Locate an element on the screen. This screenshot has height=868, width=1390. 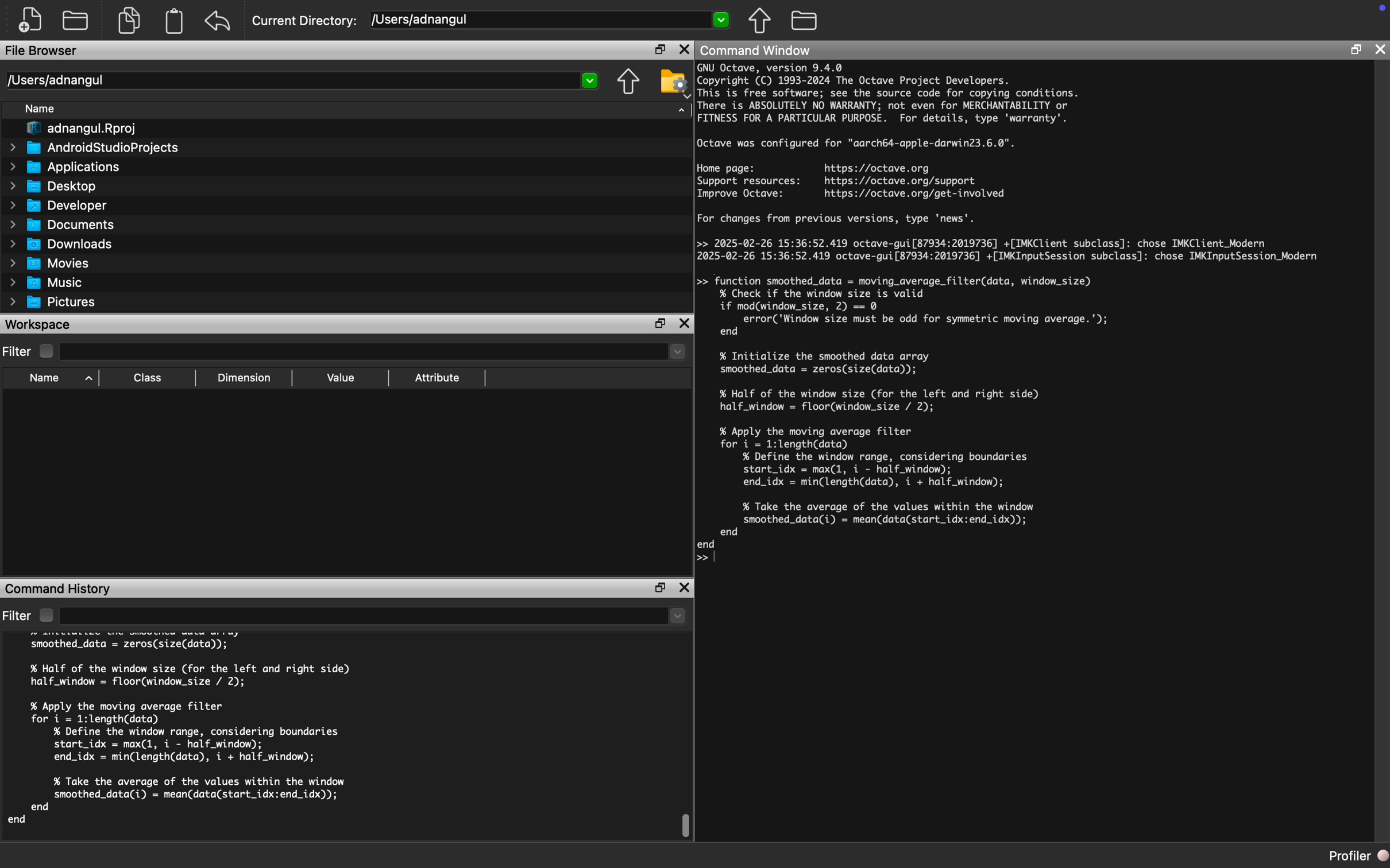
# Octave 9.4.0, Wed Feb 26 15:36:16 2025 PKT <adnangul@Adnans-MacBook-Pro.local> is located at coordinates (241, 834).